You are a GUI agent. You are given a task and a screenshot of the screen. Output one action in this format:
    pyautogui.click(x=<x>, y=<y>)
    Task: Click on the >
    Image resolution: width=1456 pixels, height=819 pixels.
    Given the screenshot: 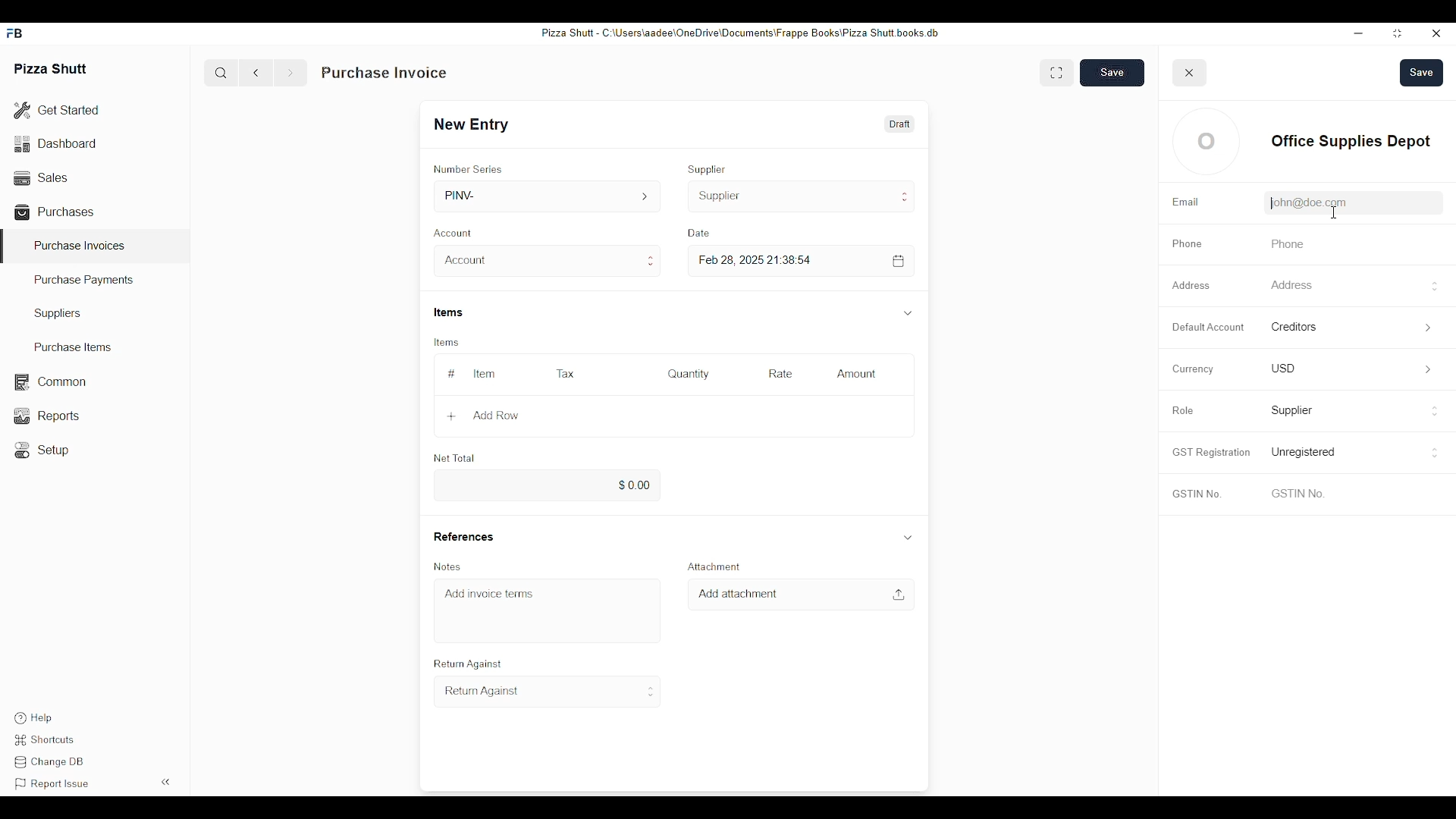 What is the action you would take?
    pyautogui.click(x=1432, y=328)
    